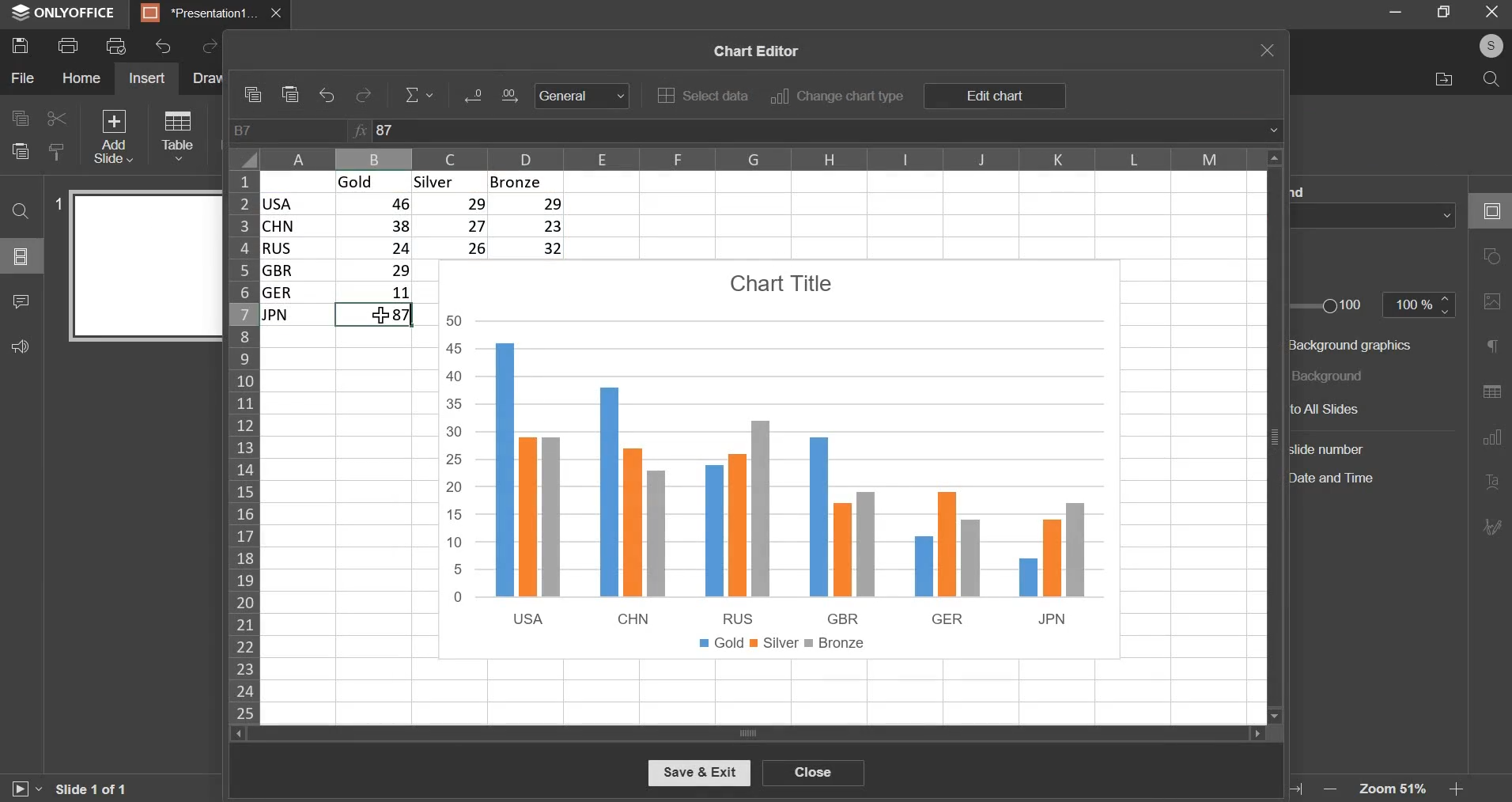 The image size is (1512, 802). What do you see at coordinates (753, 48) in the screenshot?
I see `chart editor` at bounding box center [753, 48].